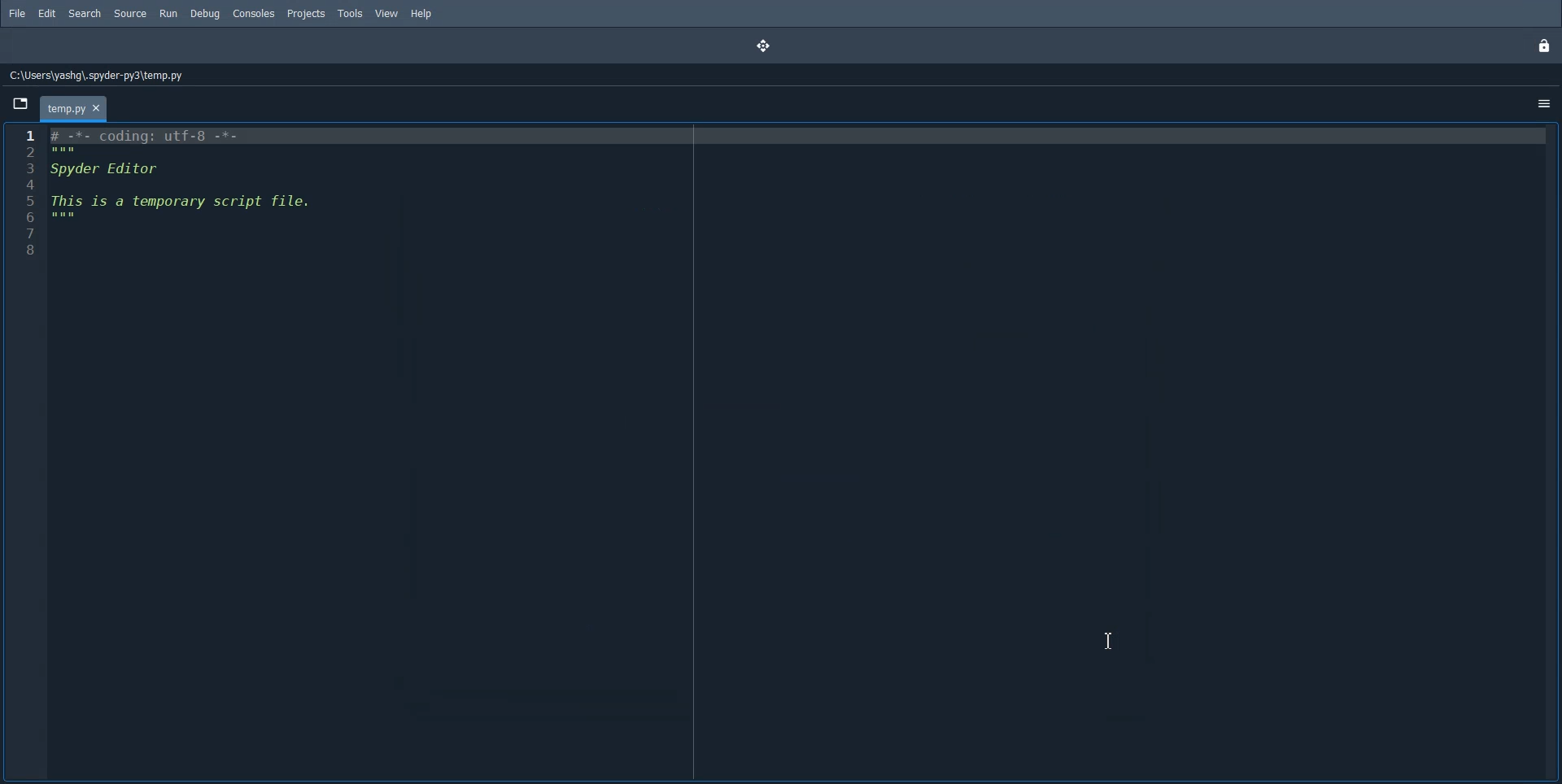 This screenshot has width=1562, height=784. I want to click on Lock, so click(1547, 46).